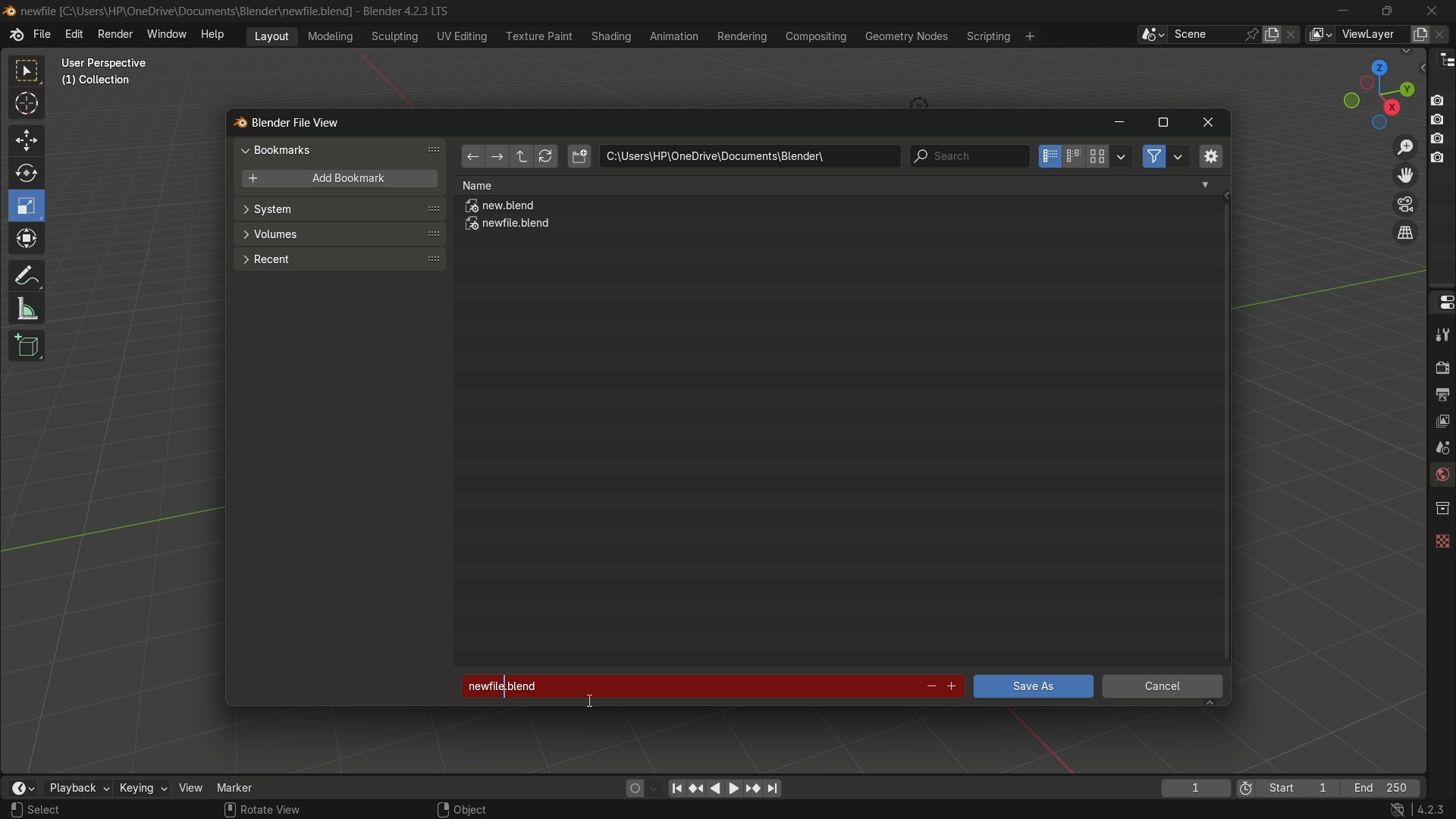  I want to click on shading menu, so click(609, 36).